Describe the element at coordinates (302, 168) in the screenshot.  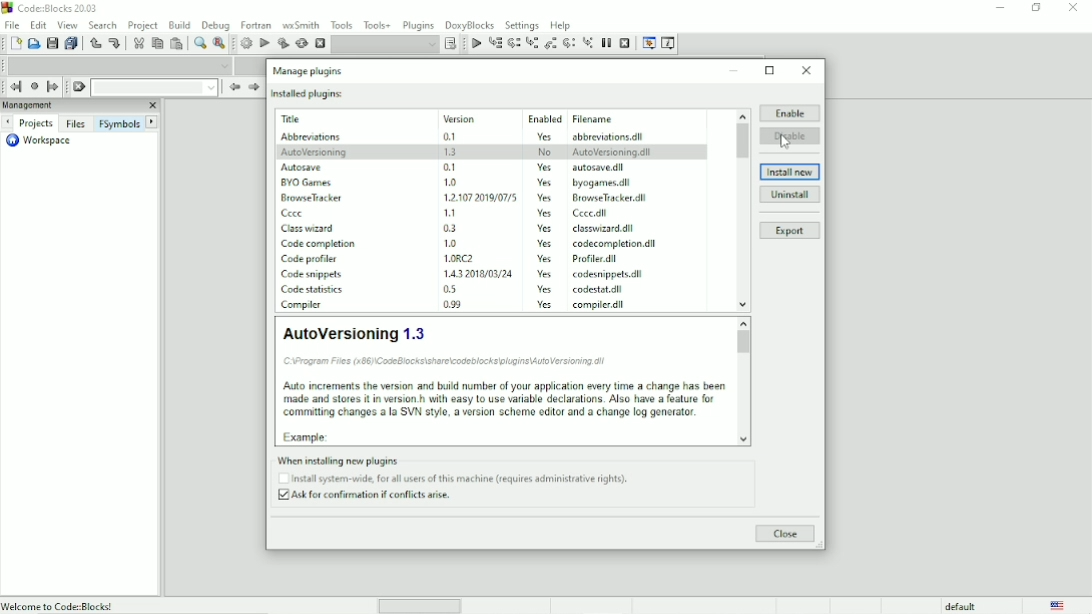
I see `Autosave` at that location.